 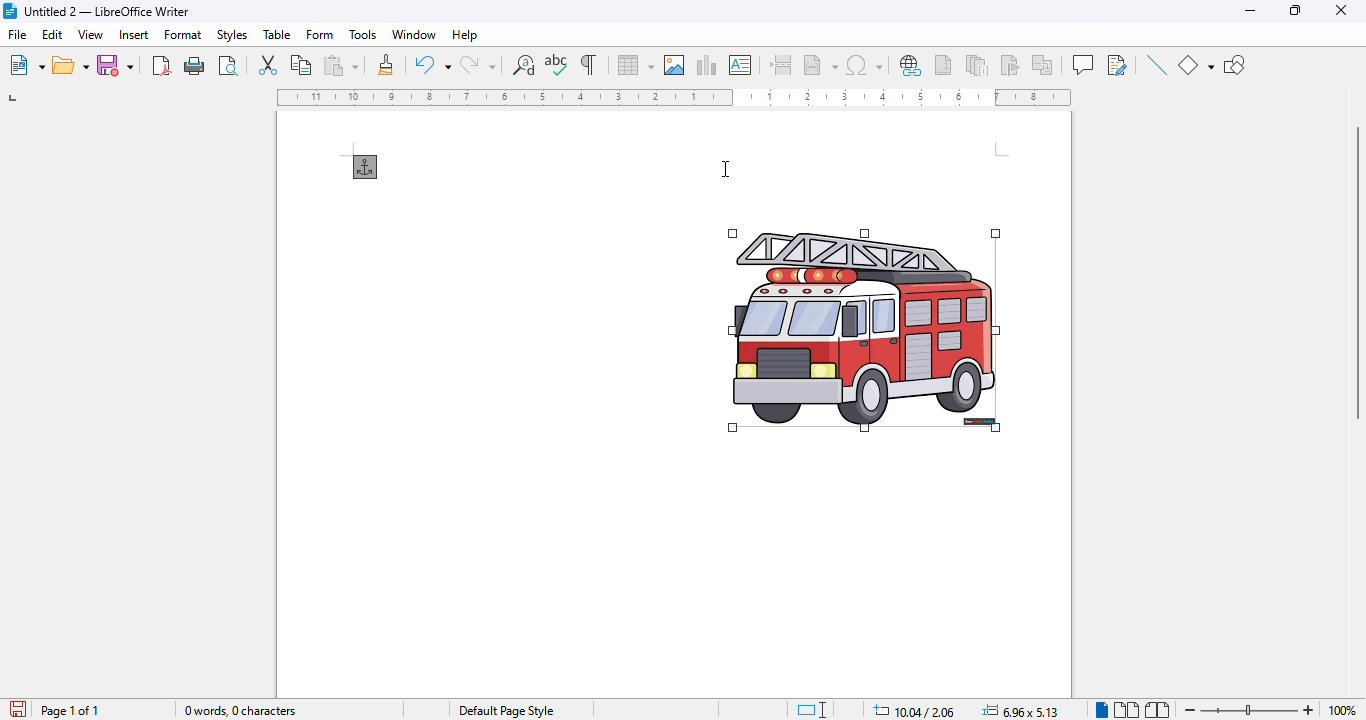 What do you see at coordinates (820, 64) in the screenshot?
I see `insert field` at bounding box center [820, 64].